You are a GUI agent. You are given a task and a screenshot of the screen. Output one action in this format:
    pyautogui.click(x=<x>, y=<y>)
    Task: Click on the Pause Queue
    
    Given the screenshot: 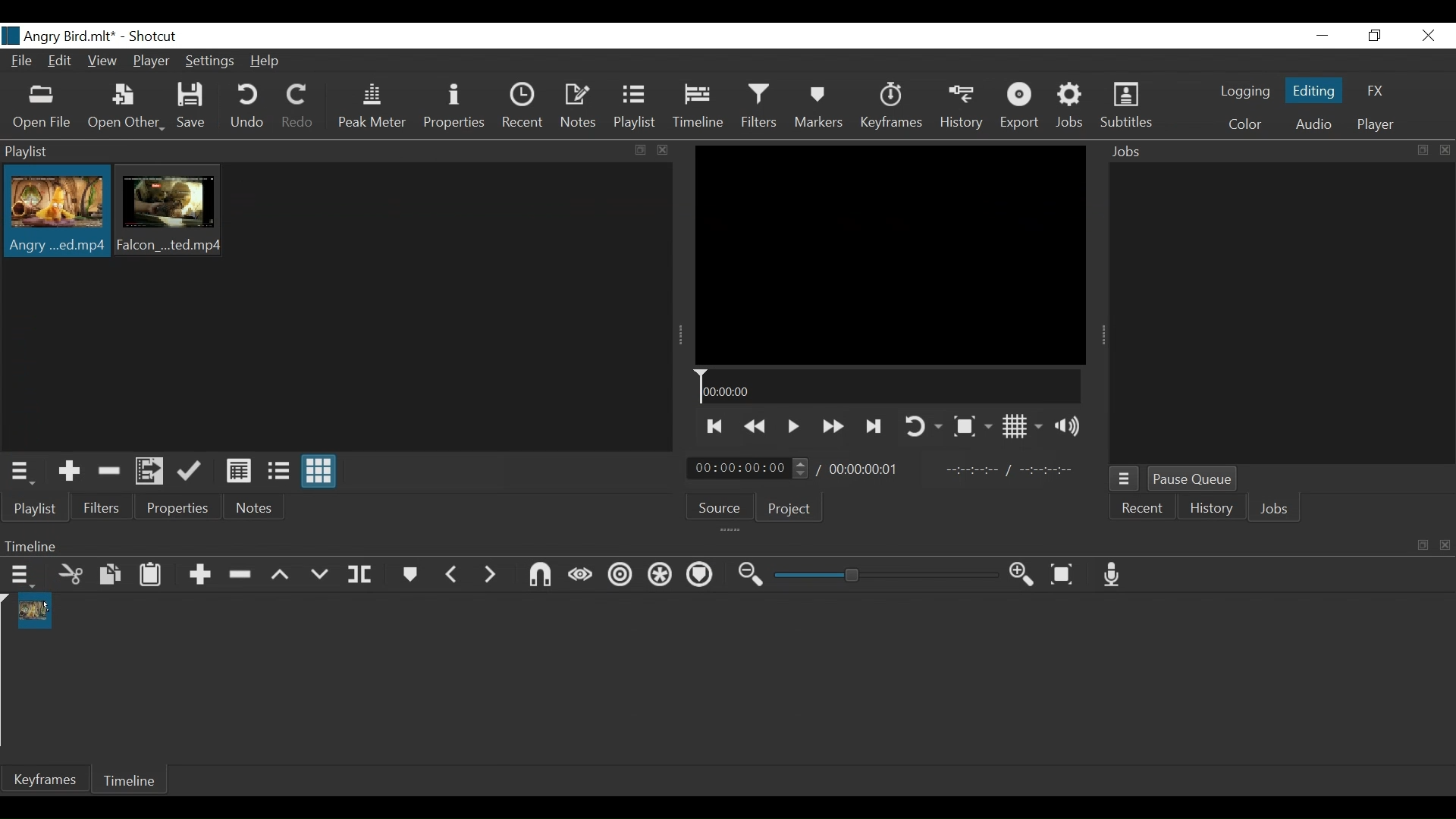 What is the action you would take?
    pyautogui.click(x=1194, y=479)
    